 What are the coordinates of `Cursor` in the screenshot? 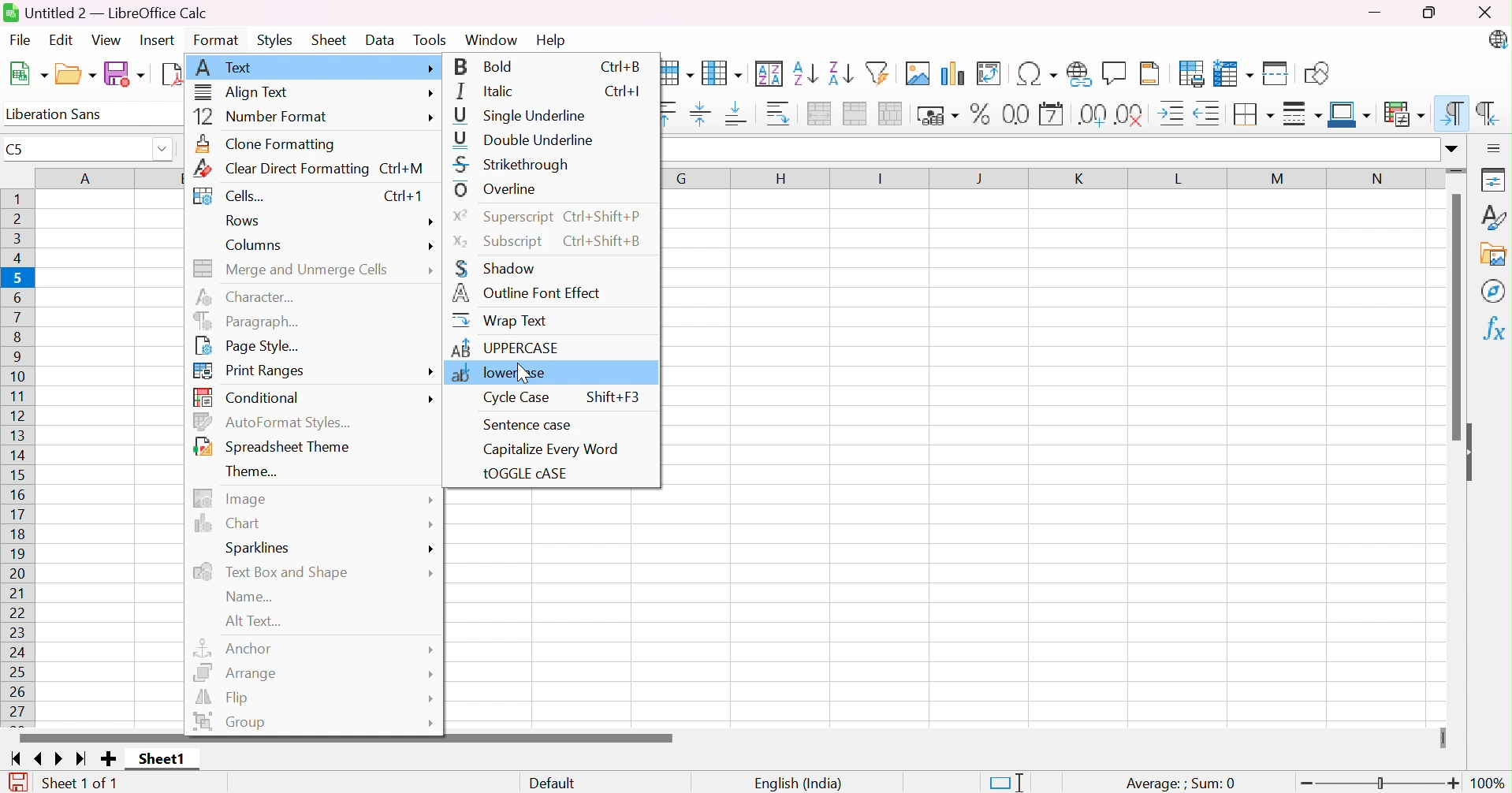 It's located at (523, 374).